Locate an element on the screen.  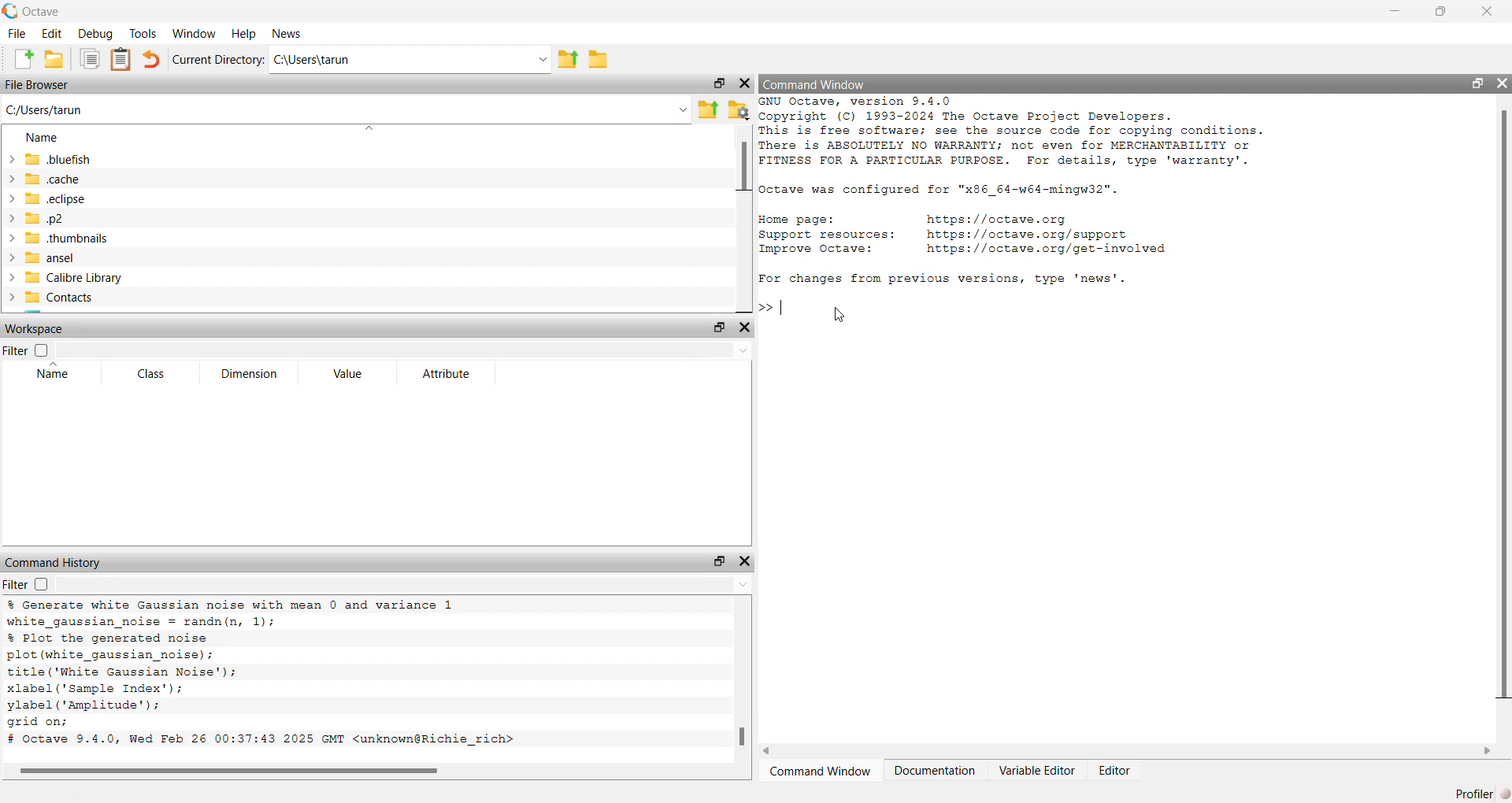
 eclipse is located at coordinates (49, 200).